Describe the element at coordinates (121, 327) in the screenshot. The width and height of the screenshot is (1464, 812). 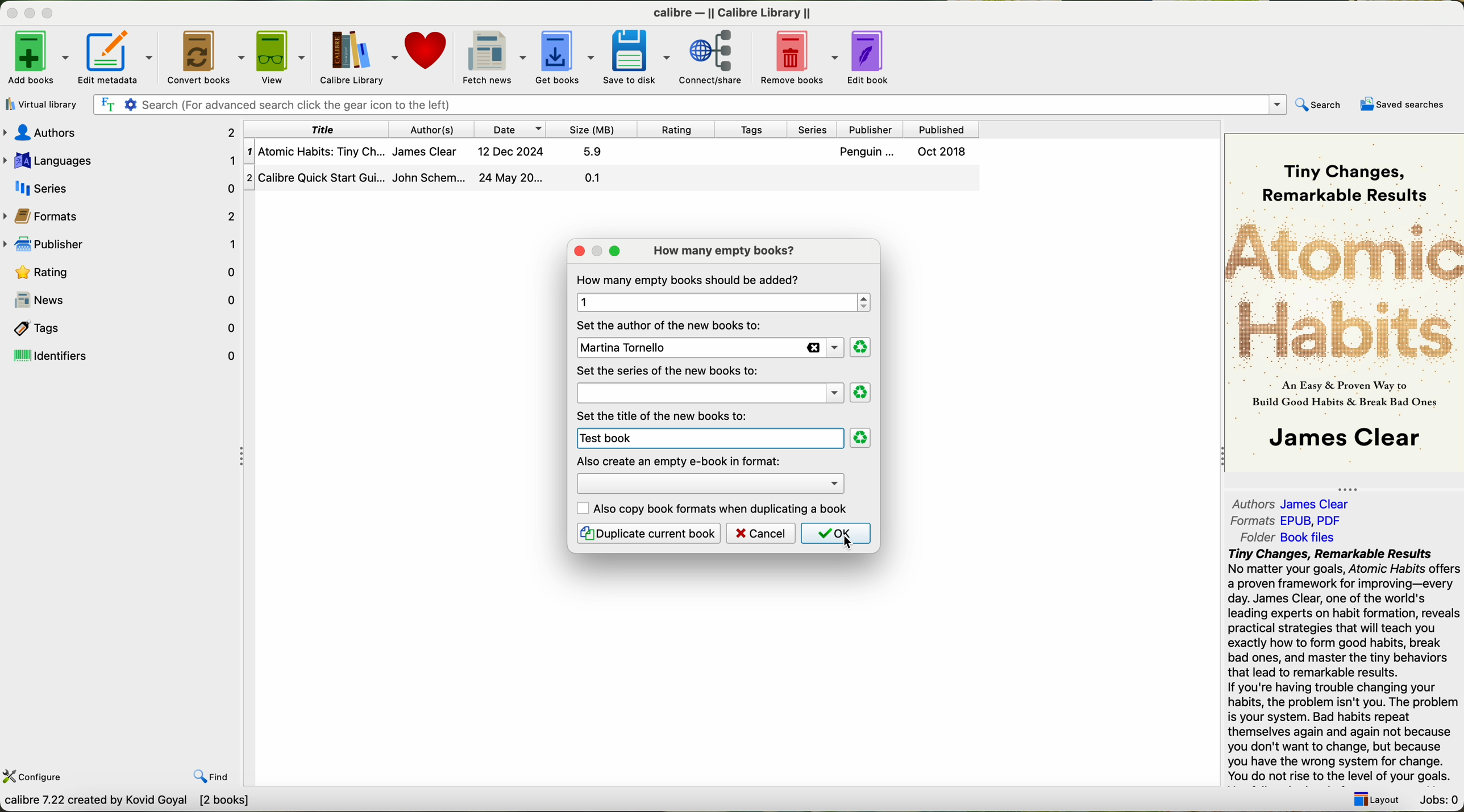
I see `tags` at that location.